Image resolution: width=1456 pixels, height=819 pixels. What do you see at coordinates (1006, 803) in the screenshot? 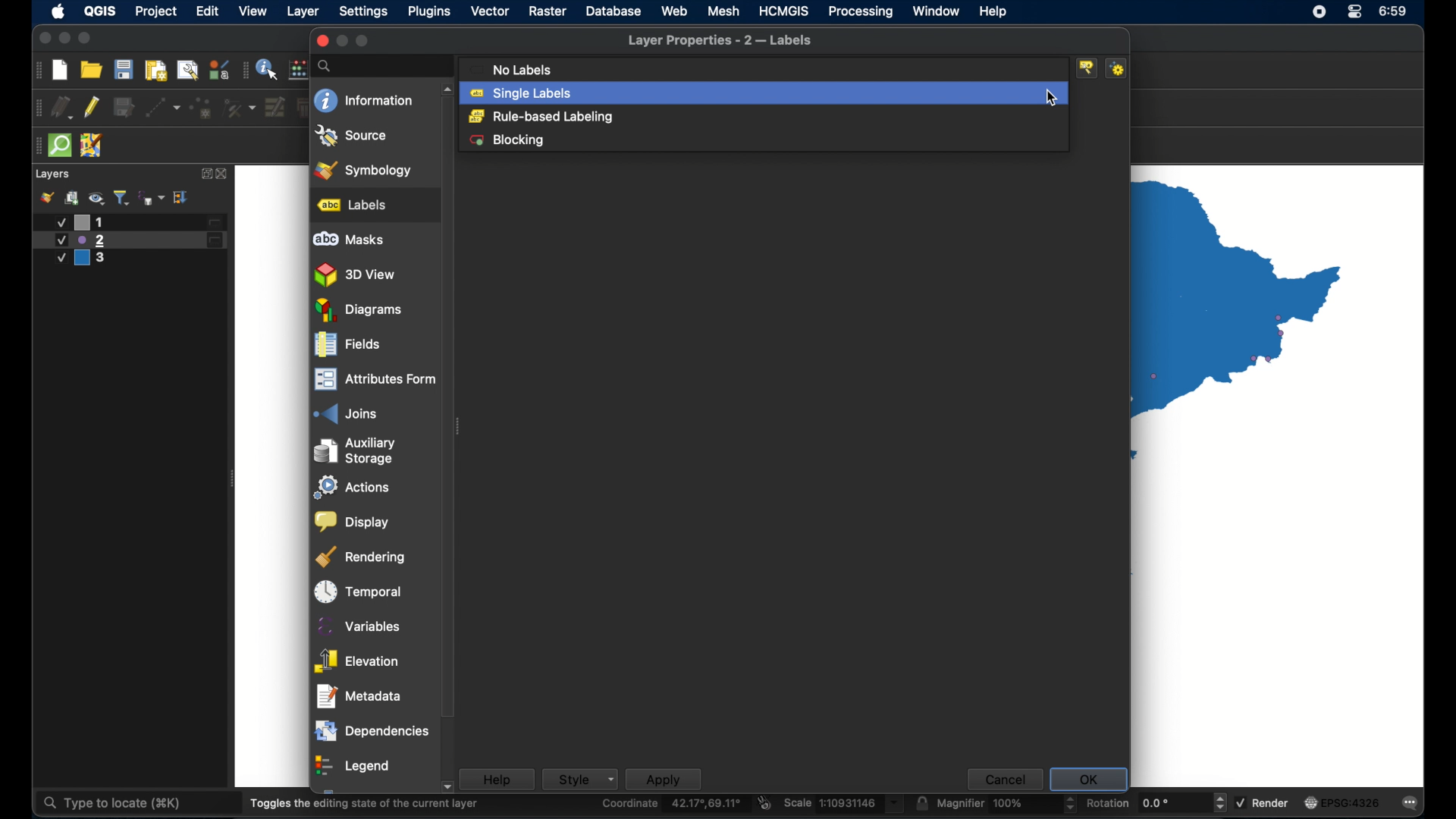
I see `magnifier` at bounding box center [1006, 803].